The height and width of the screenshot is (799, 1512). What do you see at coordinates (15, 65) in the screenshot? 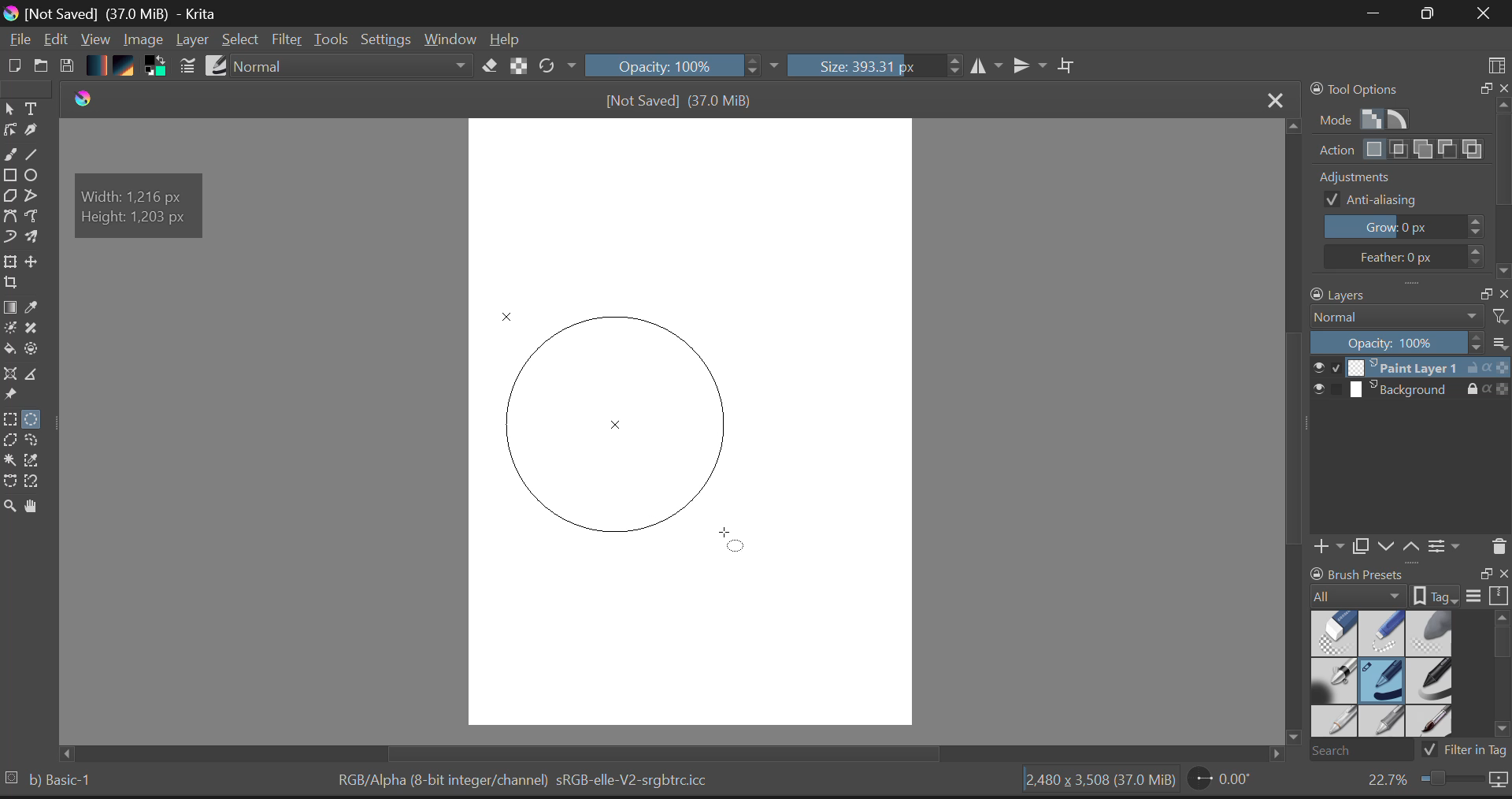
I see `New` at bounding box center [15, 65].